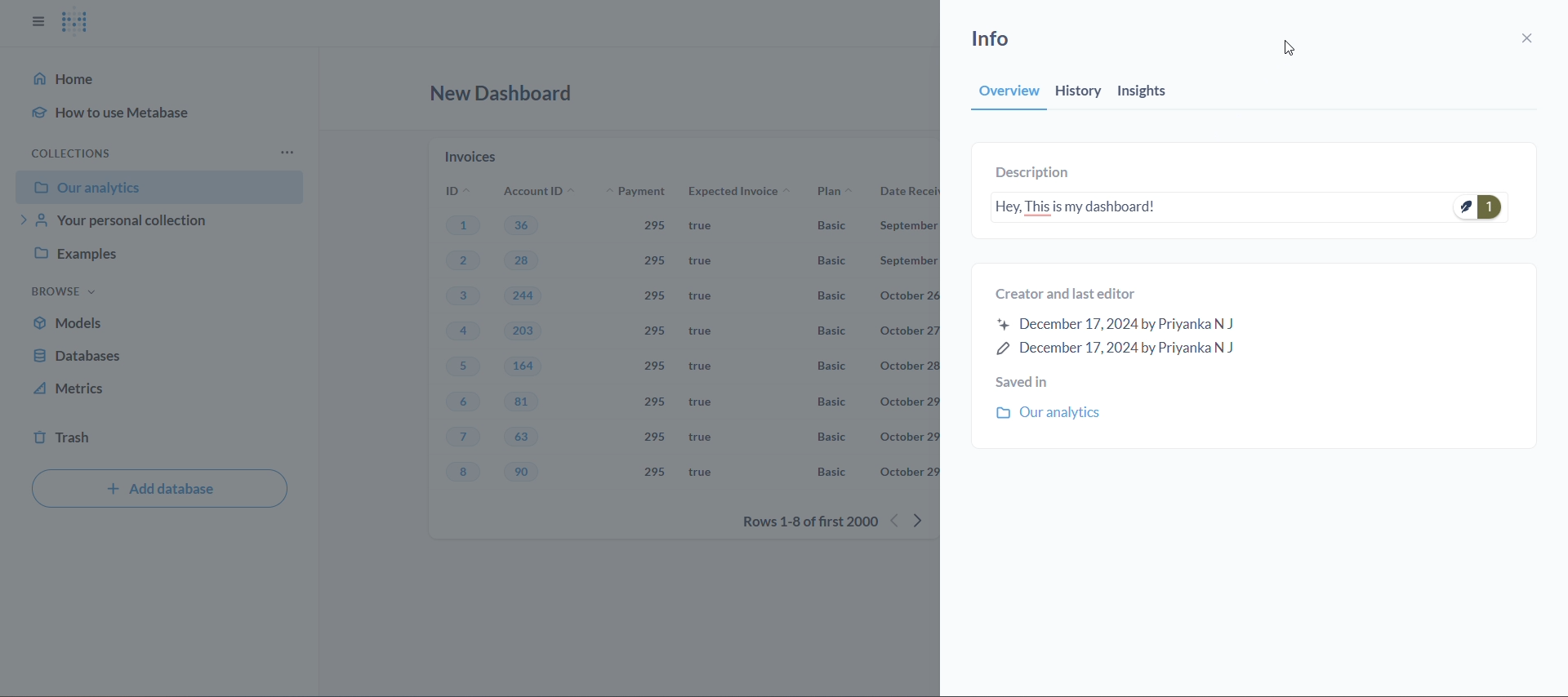 The width and height of the screenshot is (1568, 697). I want to click on october 29, so click(907, 473).